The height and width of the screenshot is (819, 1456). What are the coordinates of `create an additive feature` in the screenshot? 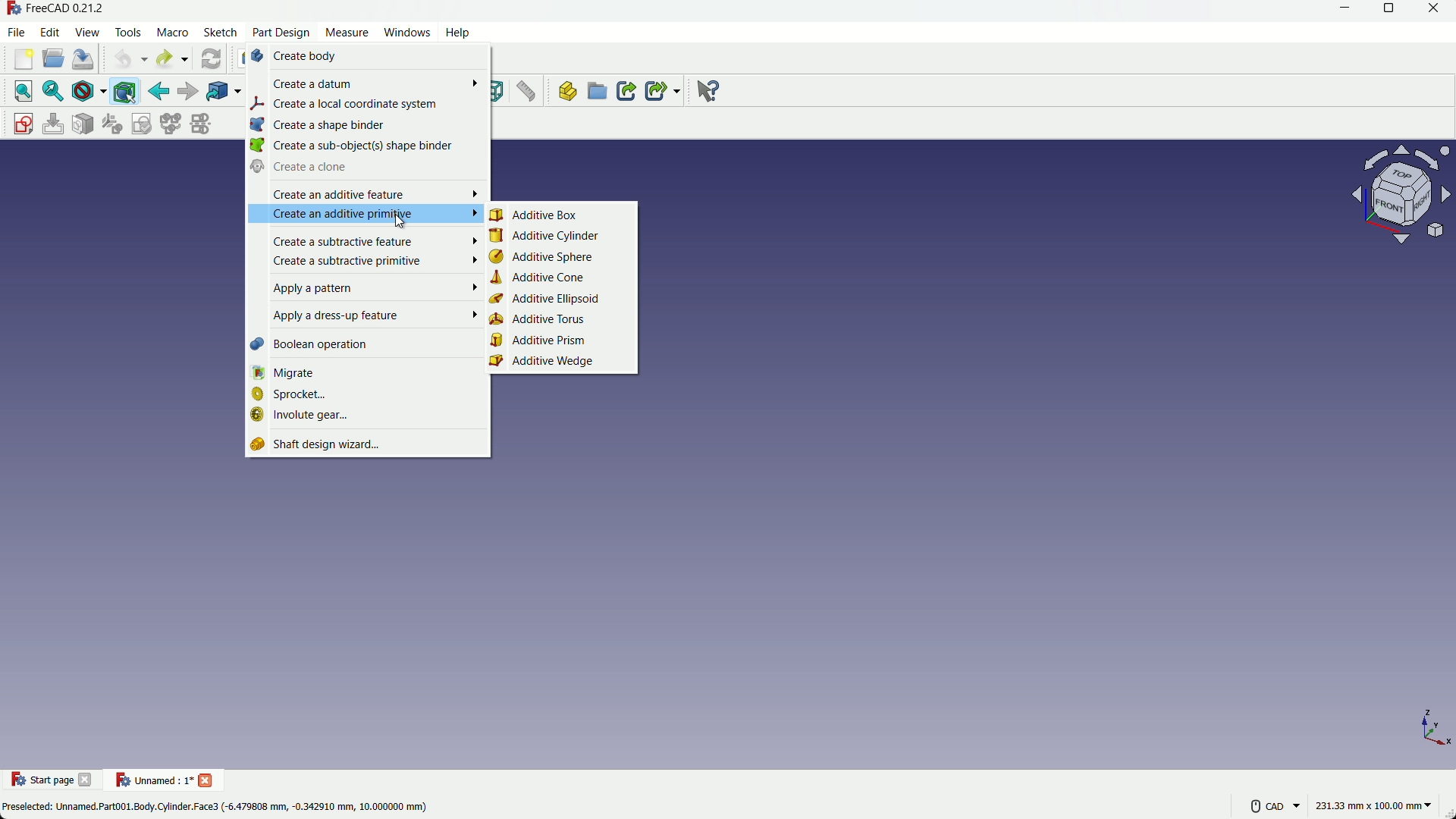 It's located at (362, 193).